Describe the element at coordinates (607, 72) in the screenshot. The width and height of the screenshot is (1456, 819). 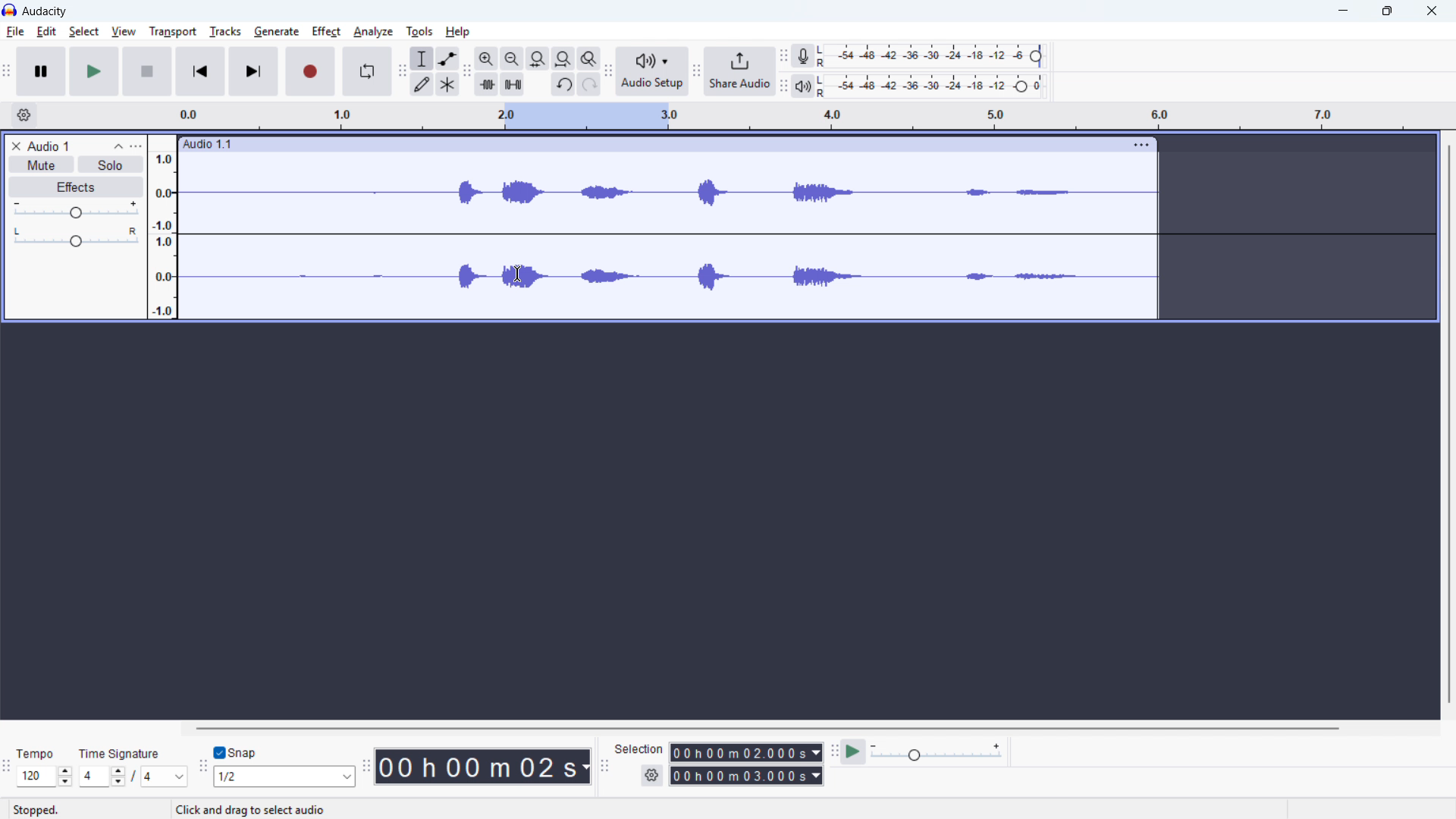
I see `Audio setup toolbar` at that location.